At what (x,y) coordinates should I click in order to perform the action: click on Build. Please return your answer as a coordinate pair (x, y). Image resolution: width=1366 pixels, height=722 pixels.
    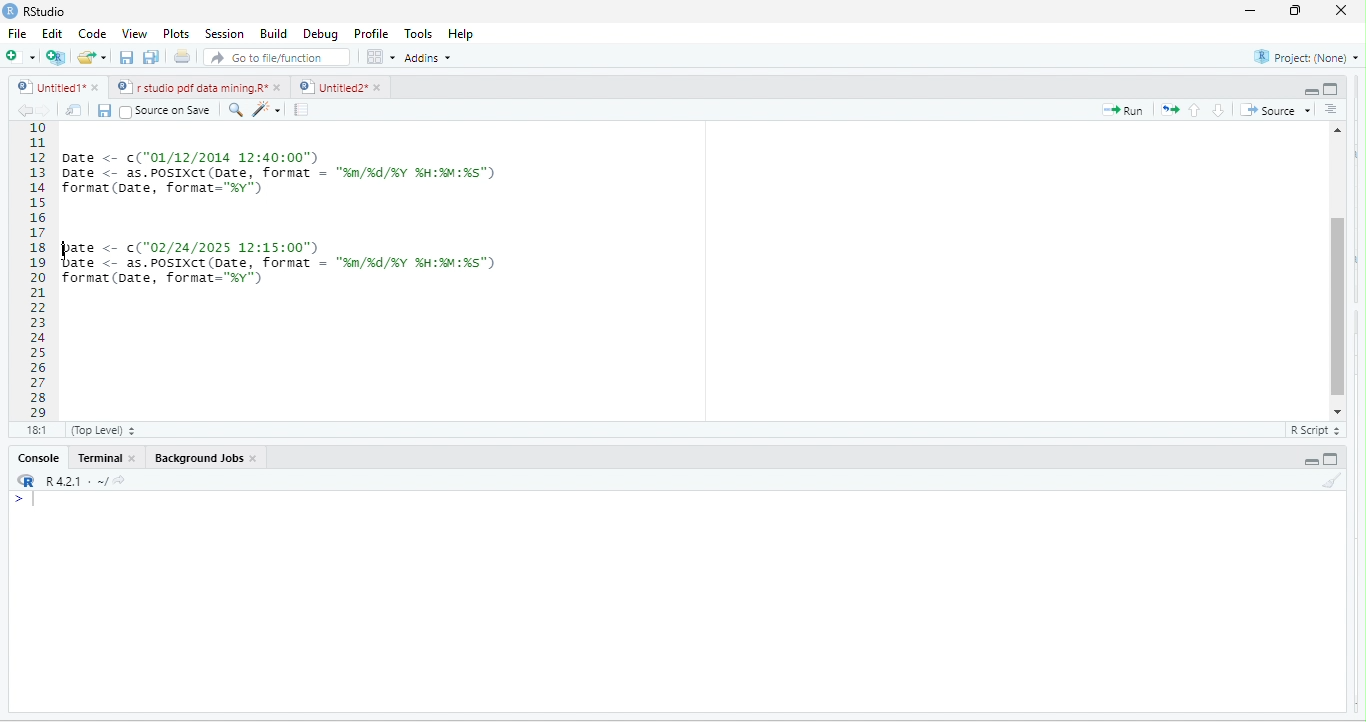
    Looking at the image, I should click on (272, 35).